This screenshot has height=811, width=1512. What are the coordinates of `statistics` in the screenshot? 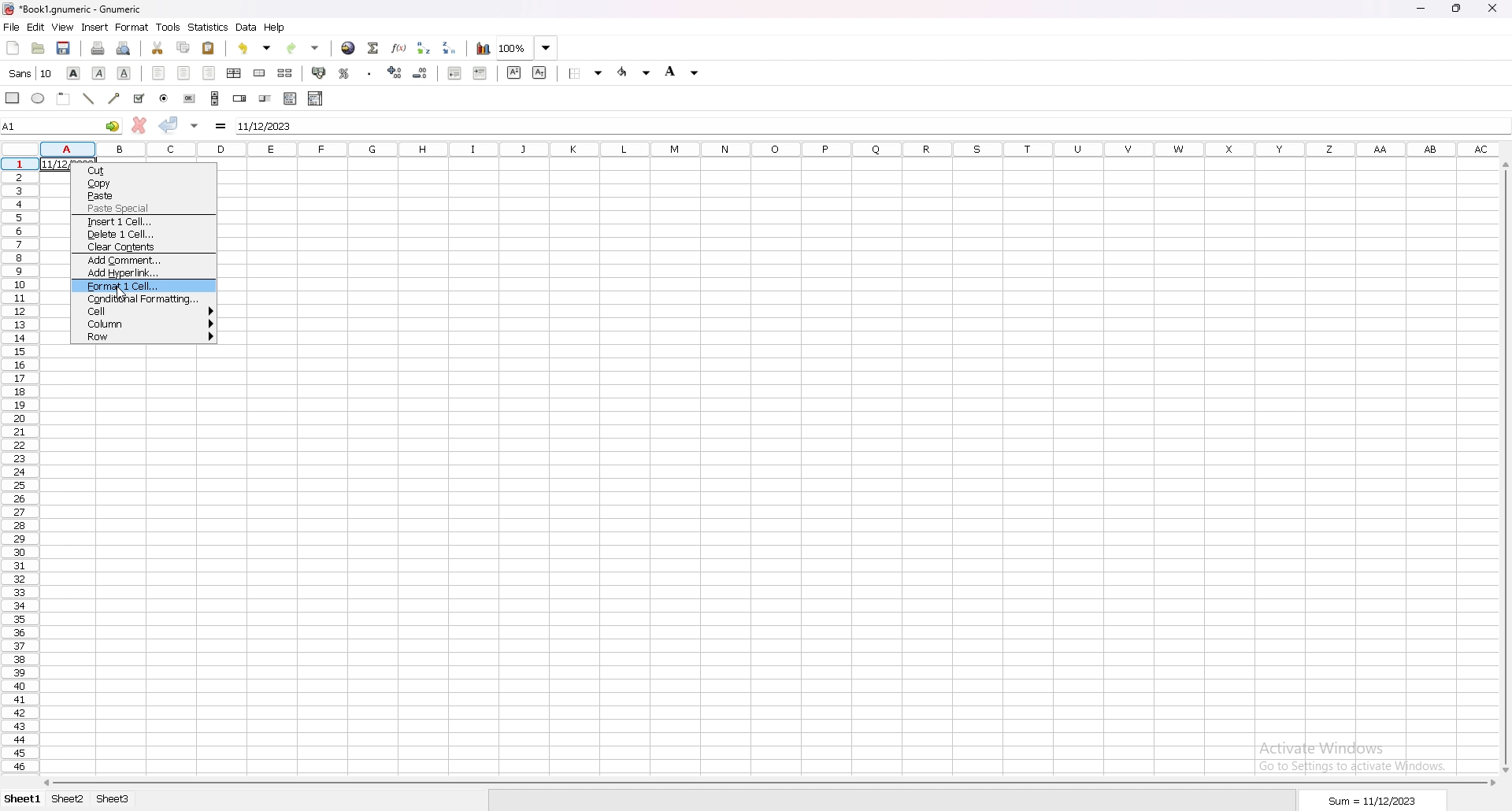 It's located at (209, 27).